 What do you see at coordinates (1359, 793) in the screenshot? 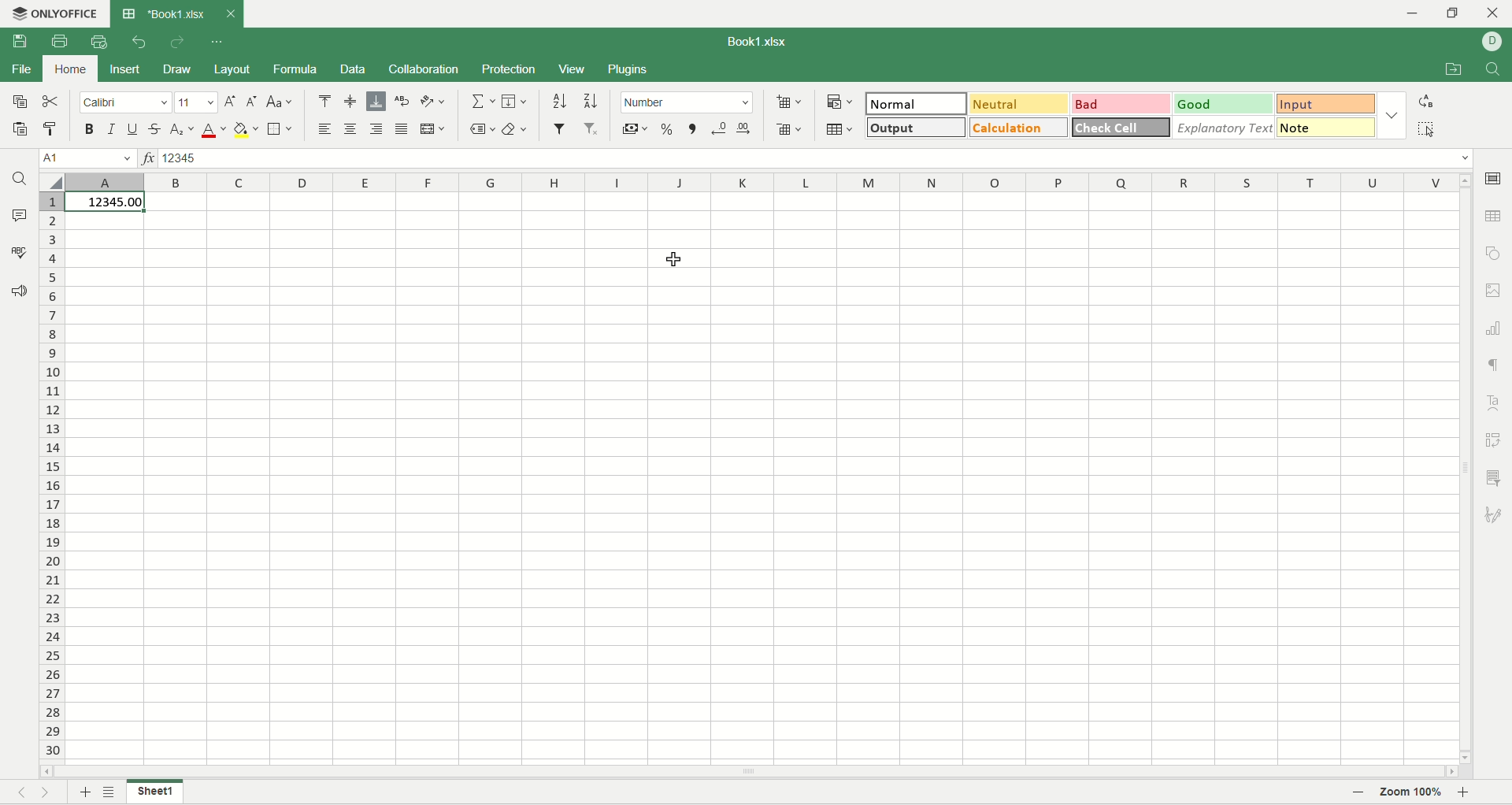
I see `zoom out` at bounding box center [1359, 793].